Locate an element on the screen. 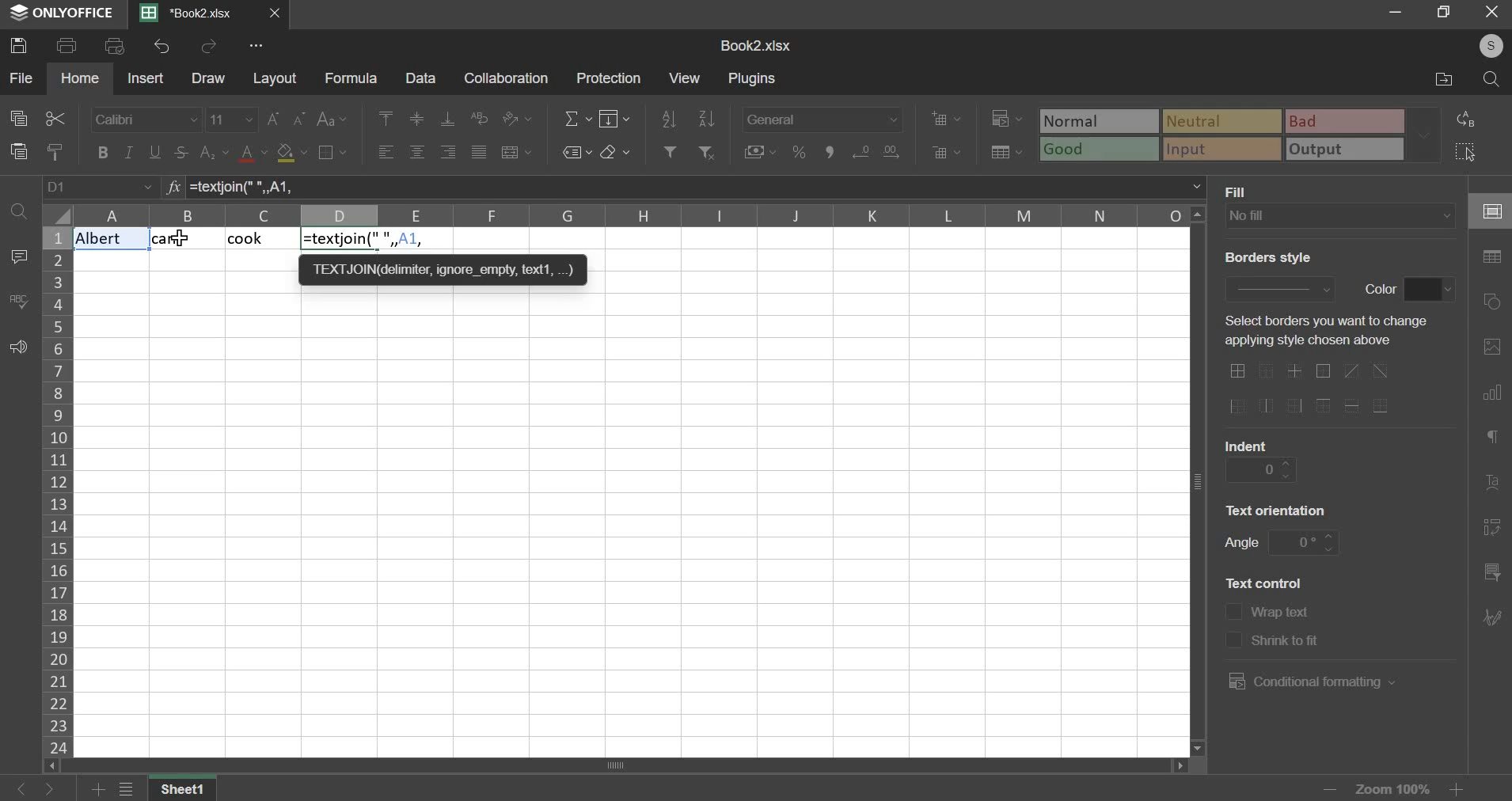  copy style is located at coordinates (56, 151).